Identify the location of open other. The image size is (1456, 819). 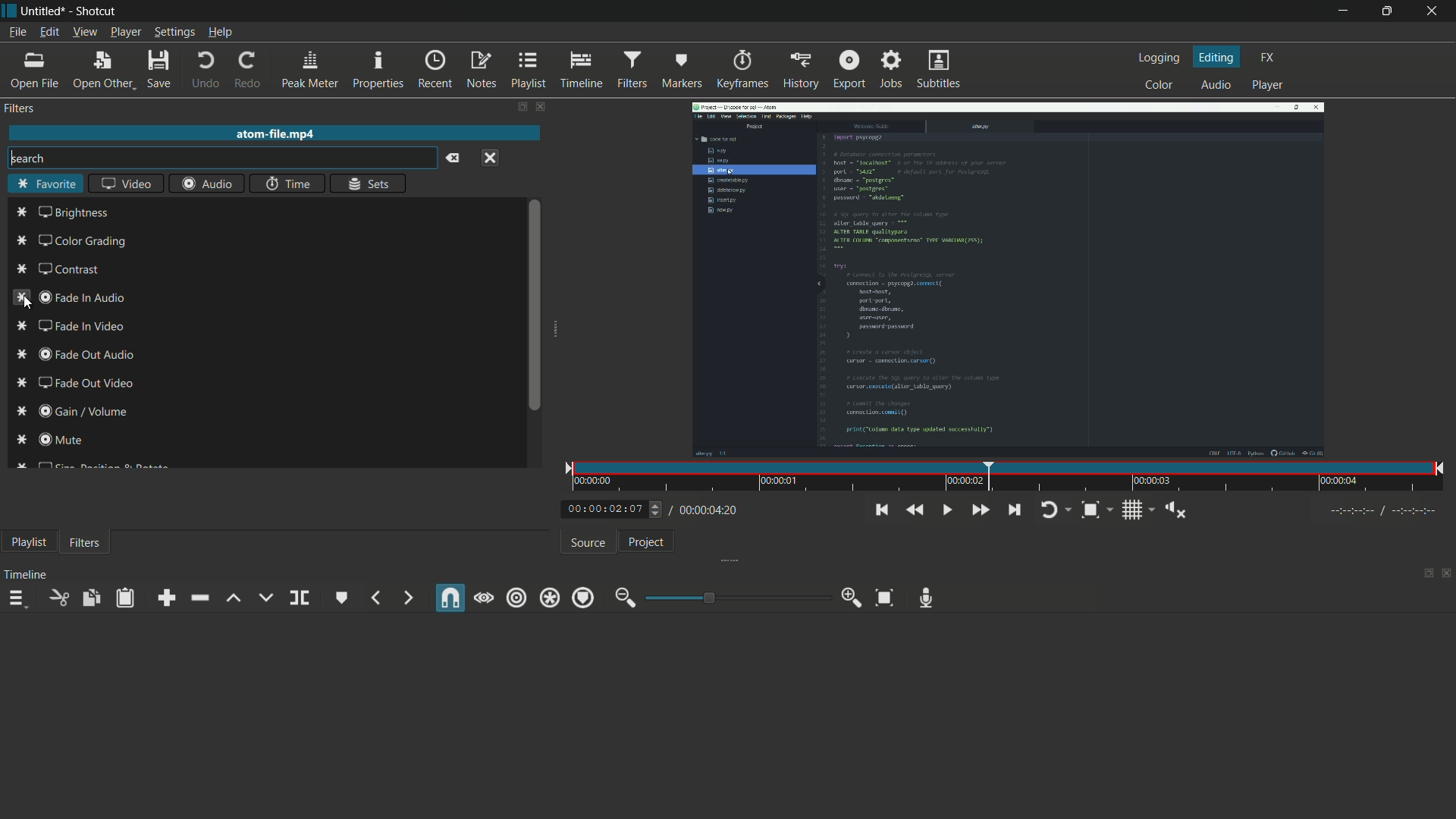
(102, 70).